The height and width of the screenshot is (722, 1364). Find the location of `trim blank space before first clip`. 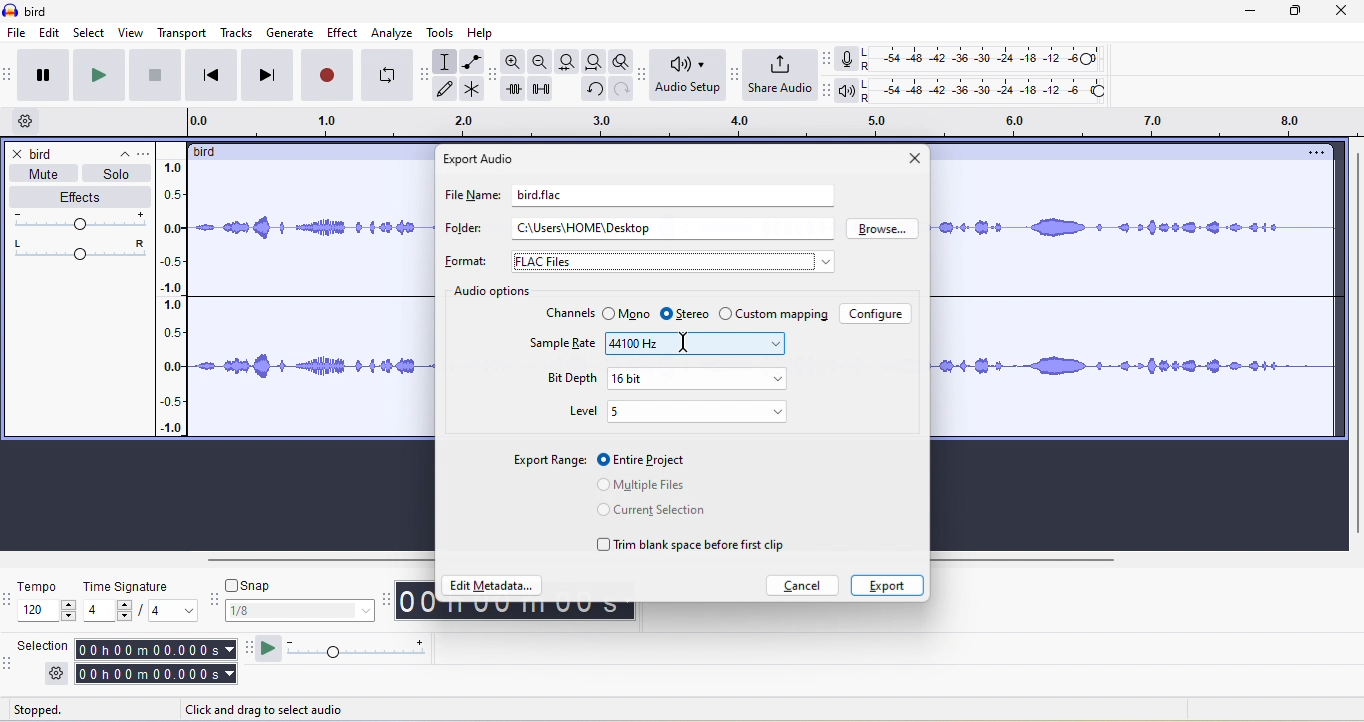

trim blank space before first clip is located at coordinates (692, 514).